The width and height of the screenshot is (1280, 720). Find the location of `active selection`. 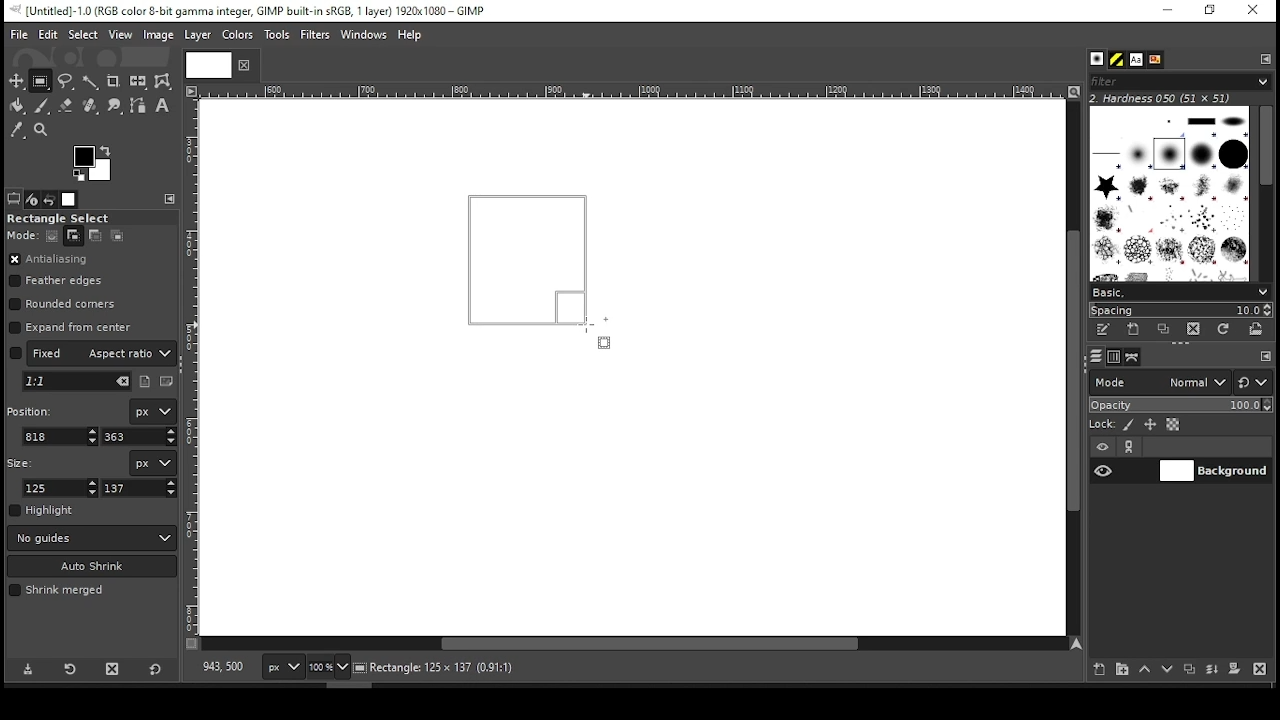

active selection is located at coordinates (540, 272).